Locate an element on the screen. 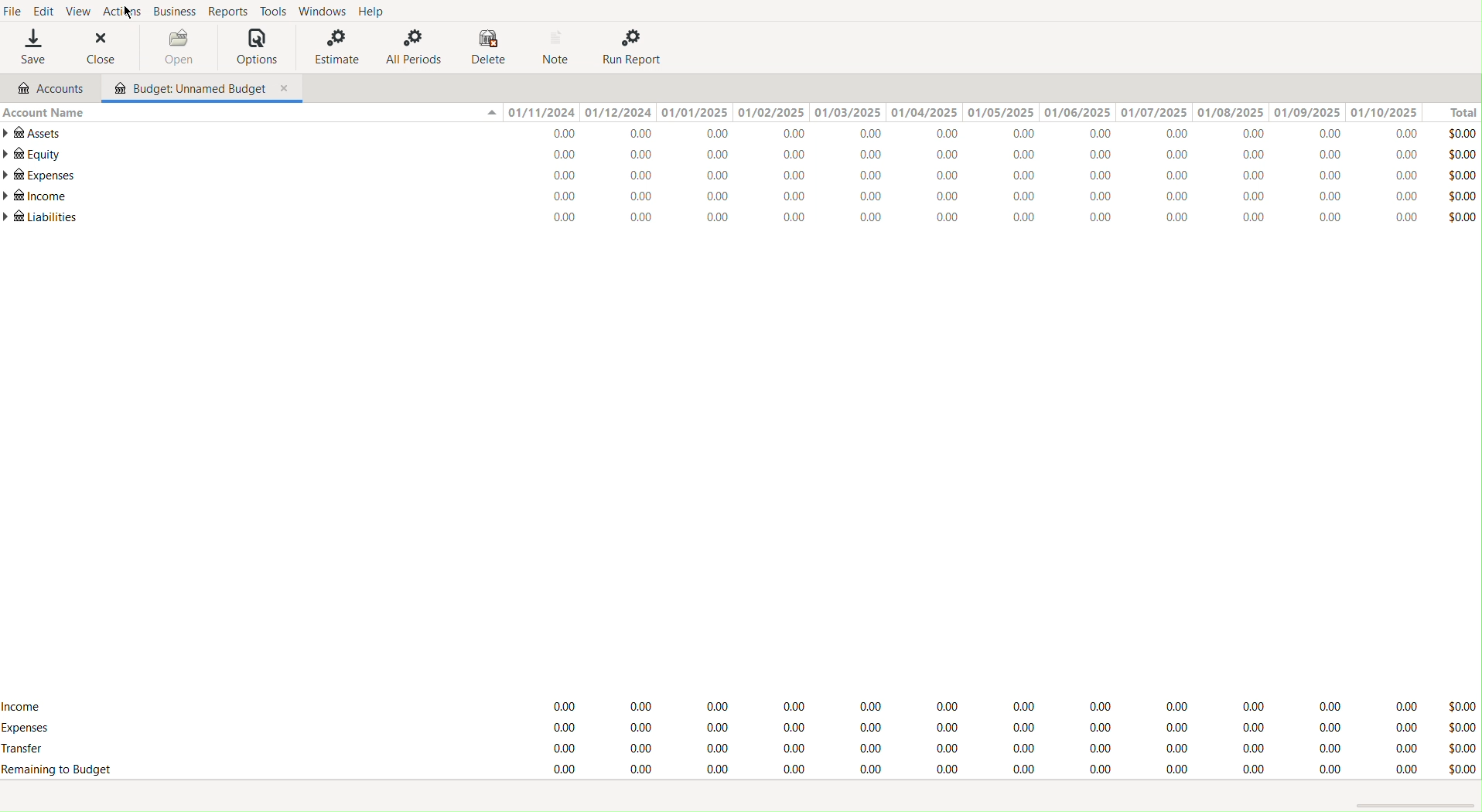 The height and width of the screenshot is (812, 1482). Tools is located at coordinates (271, 12).